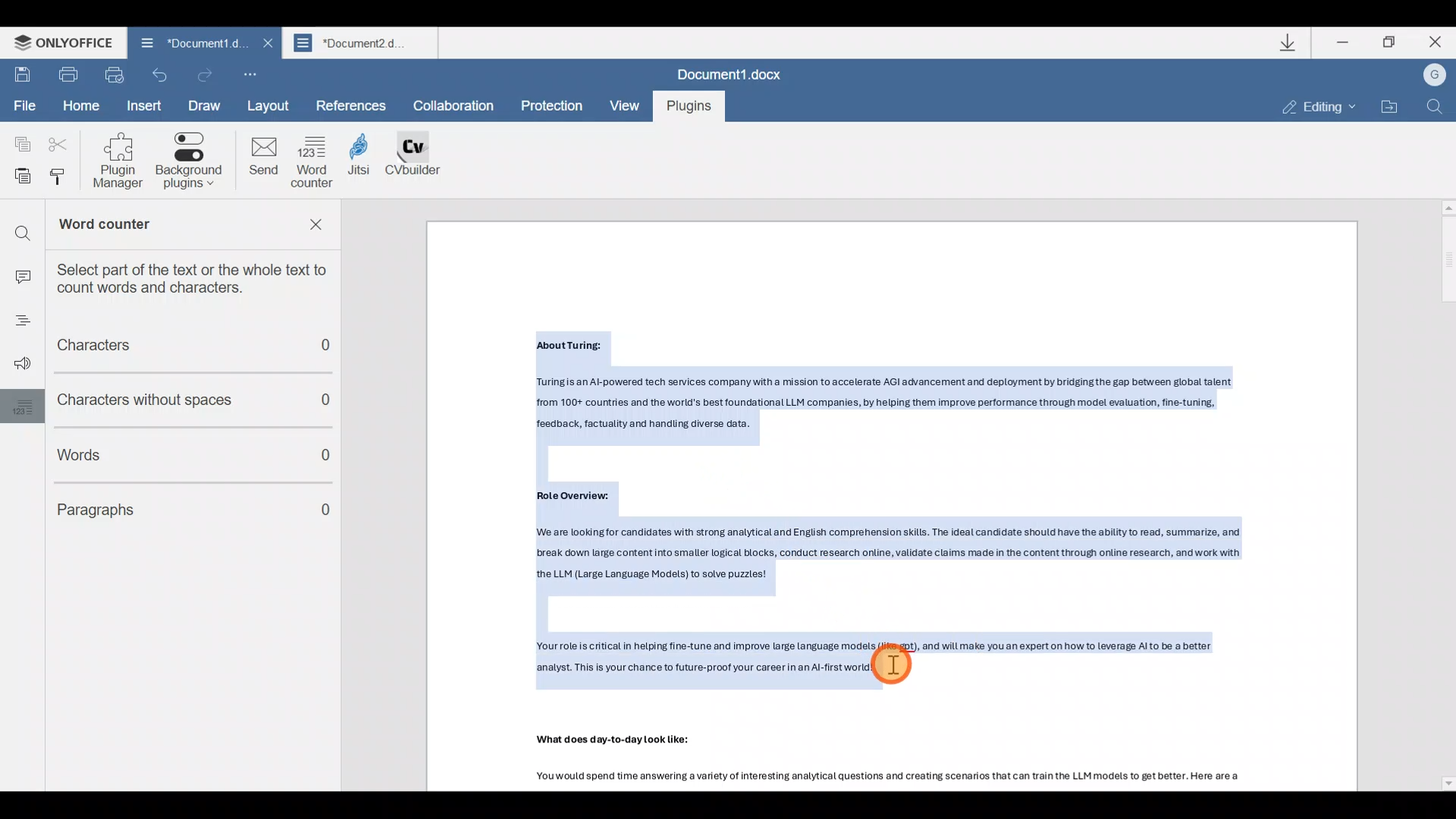 The width and height of the screenshot is (1456, 819). What do you see at coordinates (265, 43) in the screenshot?
I see `Close` at bounding box center [265, 43].